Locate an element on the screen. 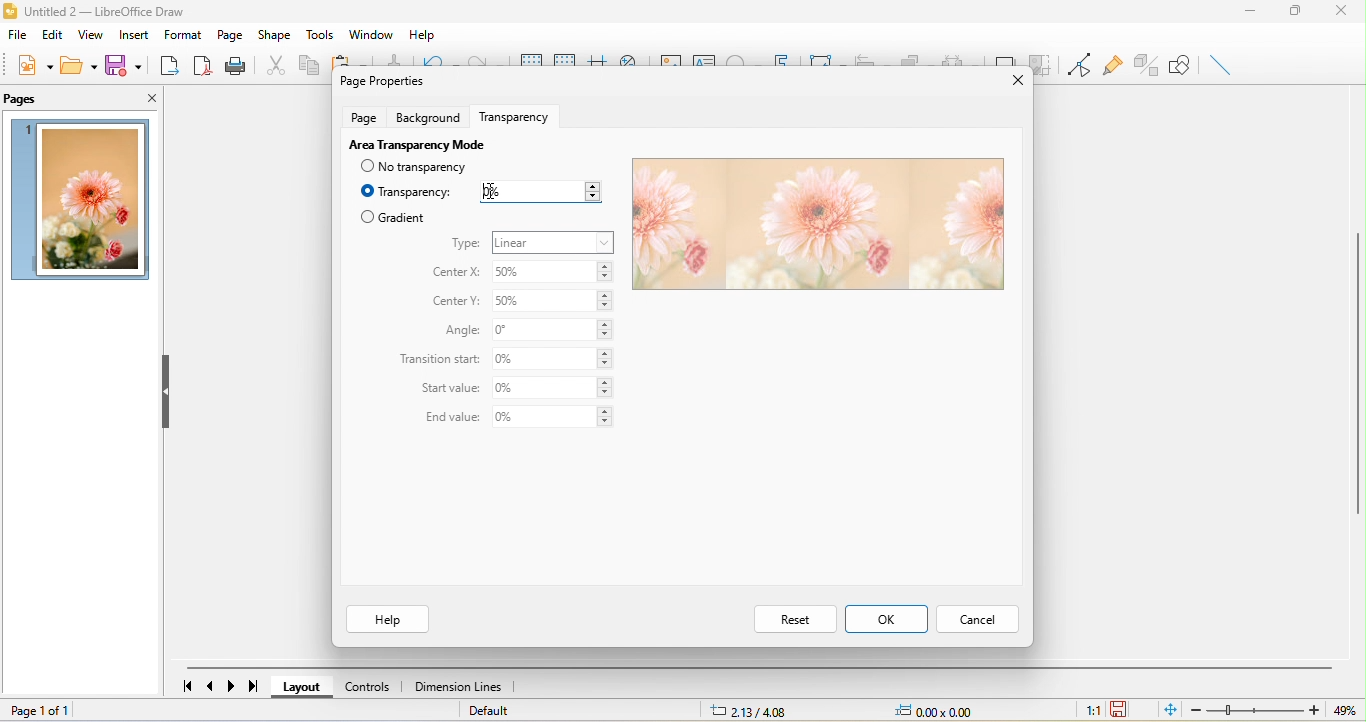 The width and height of the screenshot is (1366, 722). format is located at coordinates (184, 34).